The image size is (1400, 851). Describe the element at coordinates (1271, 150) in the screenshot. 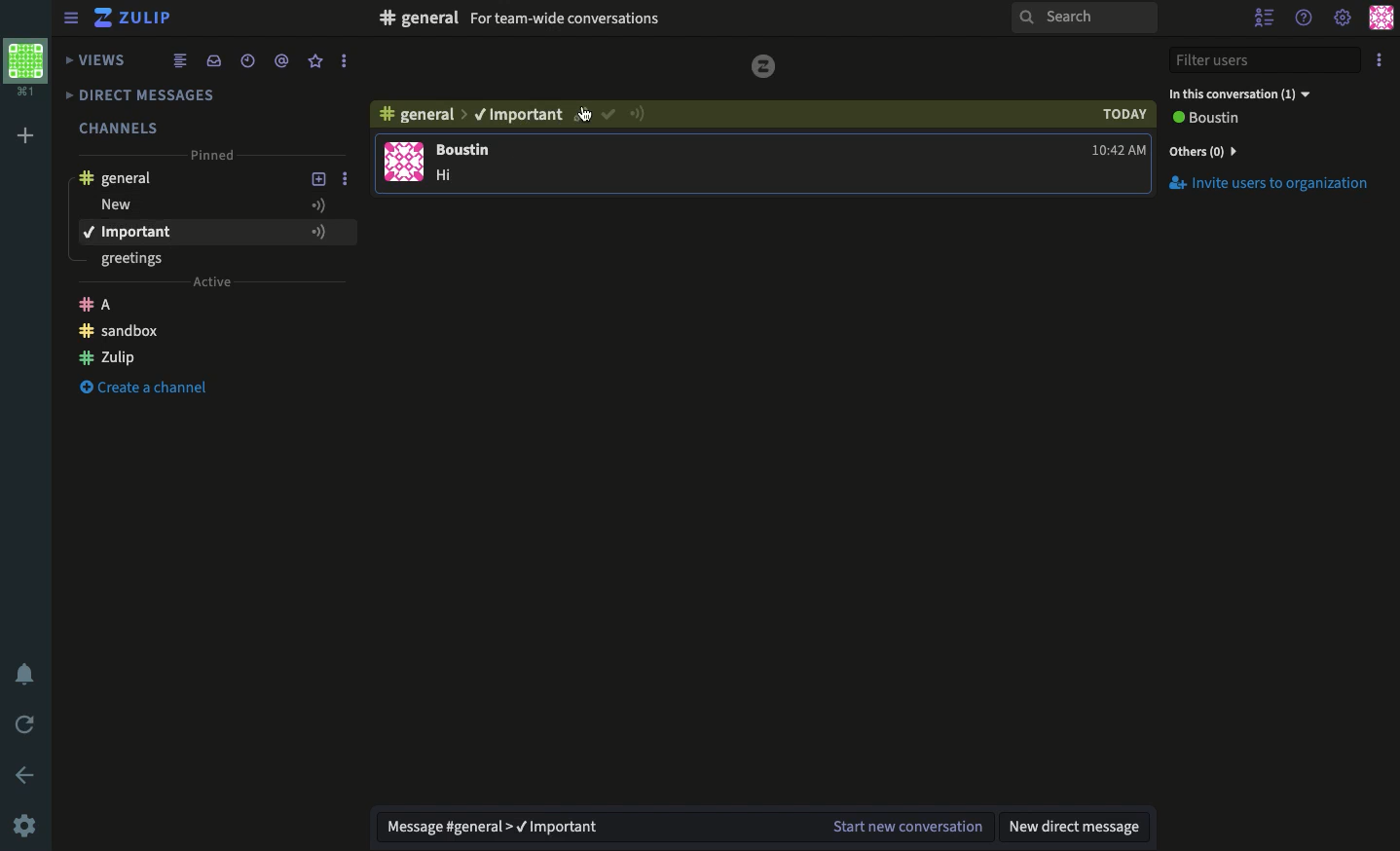

I see `Invites users to organization` at that location.